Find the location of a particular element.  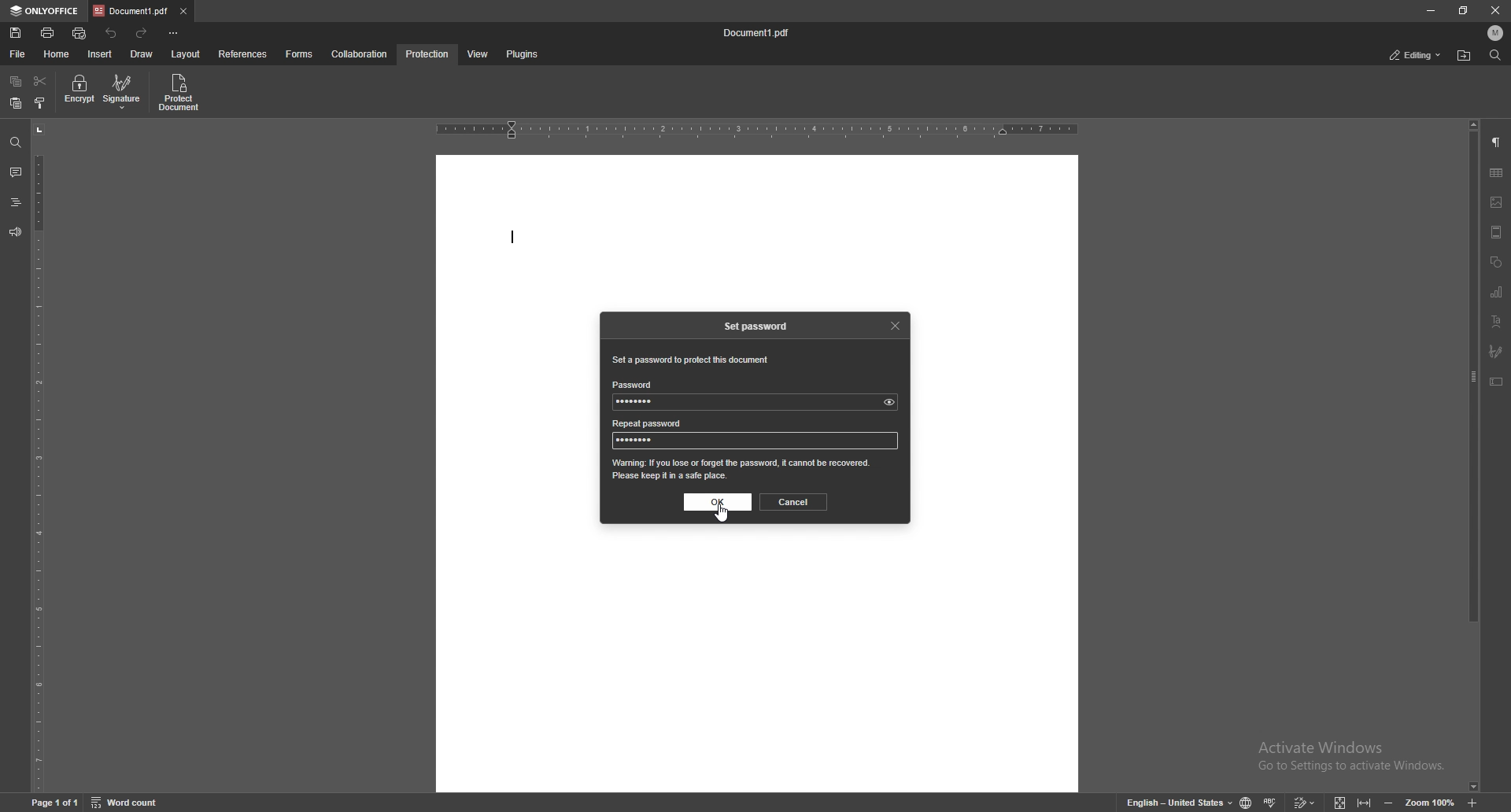

close is located at coordinates (895, 324).